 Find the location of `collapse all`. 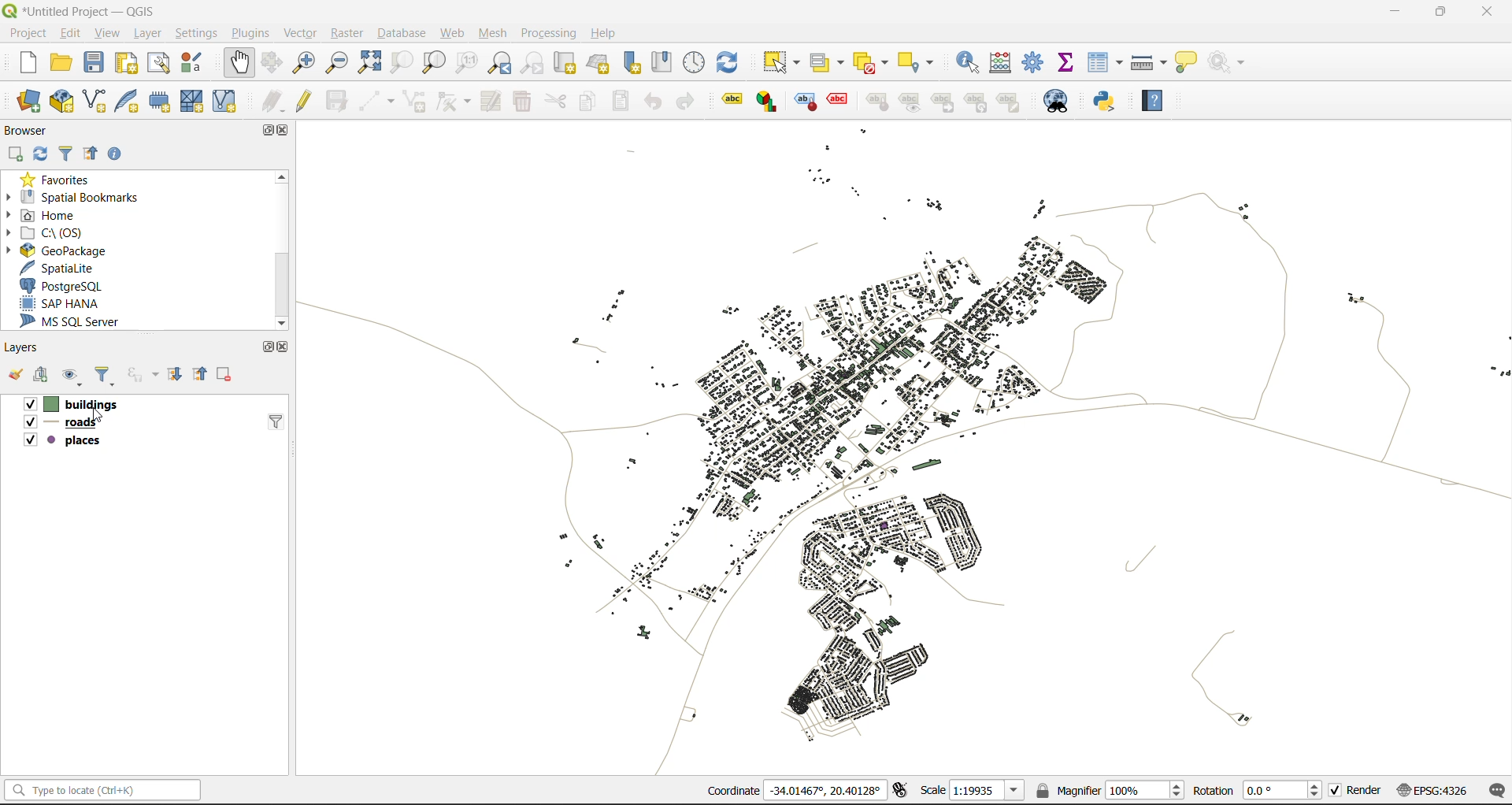

collapse all is located at coordinates (203, 374).